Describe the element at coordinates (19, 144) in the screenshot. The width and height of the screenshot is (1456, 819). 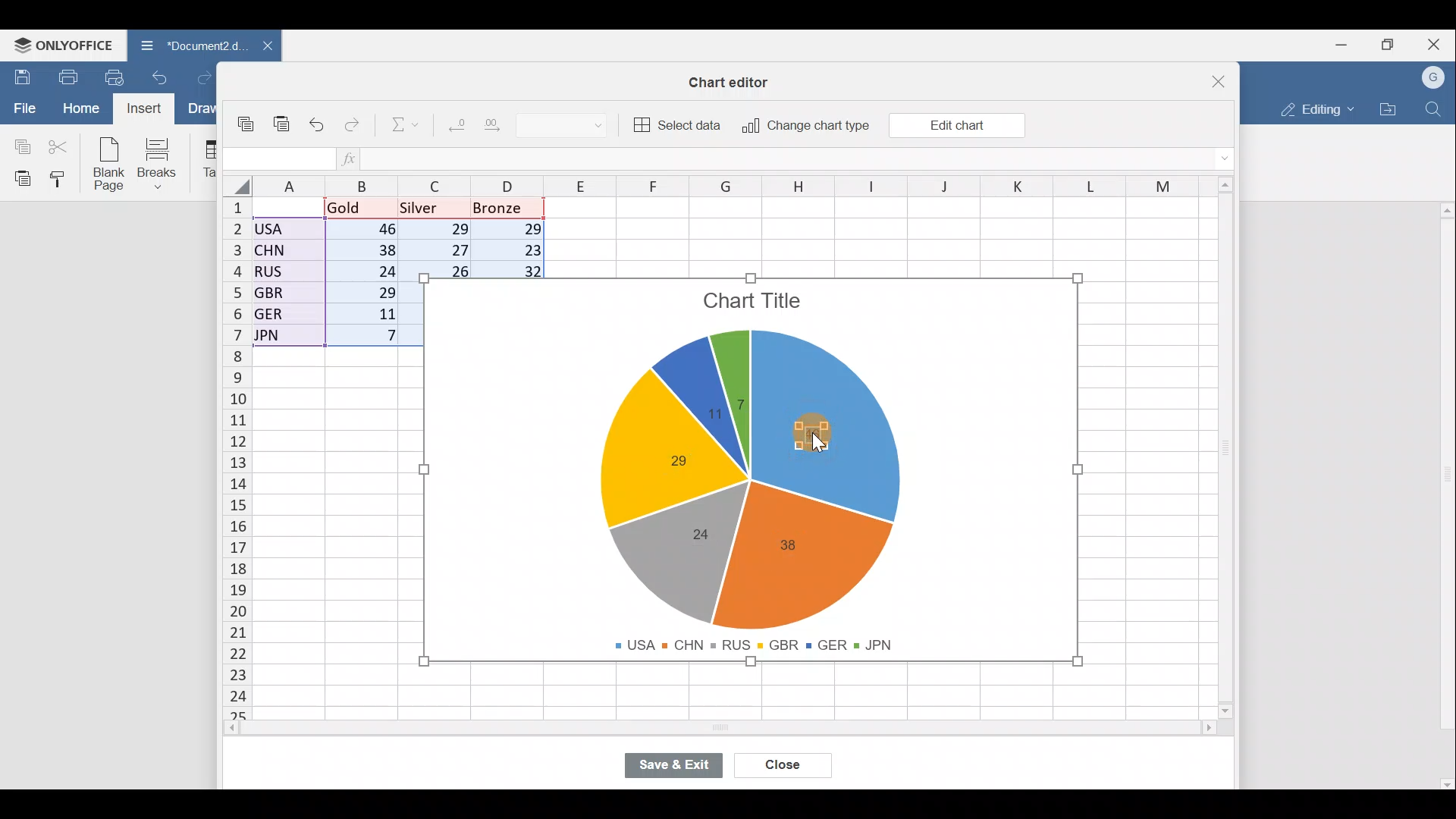
I see `Copy` at that location.